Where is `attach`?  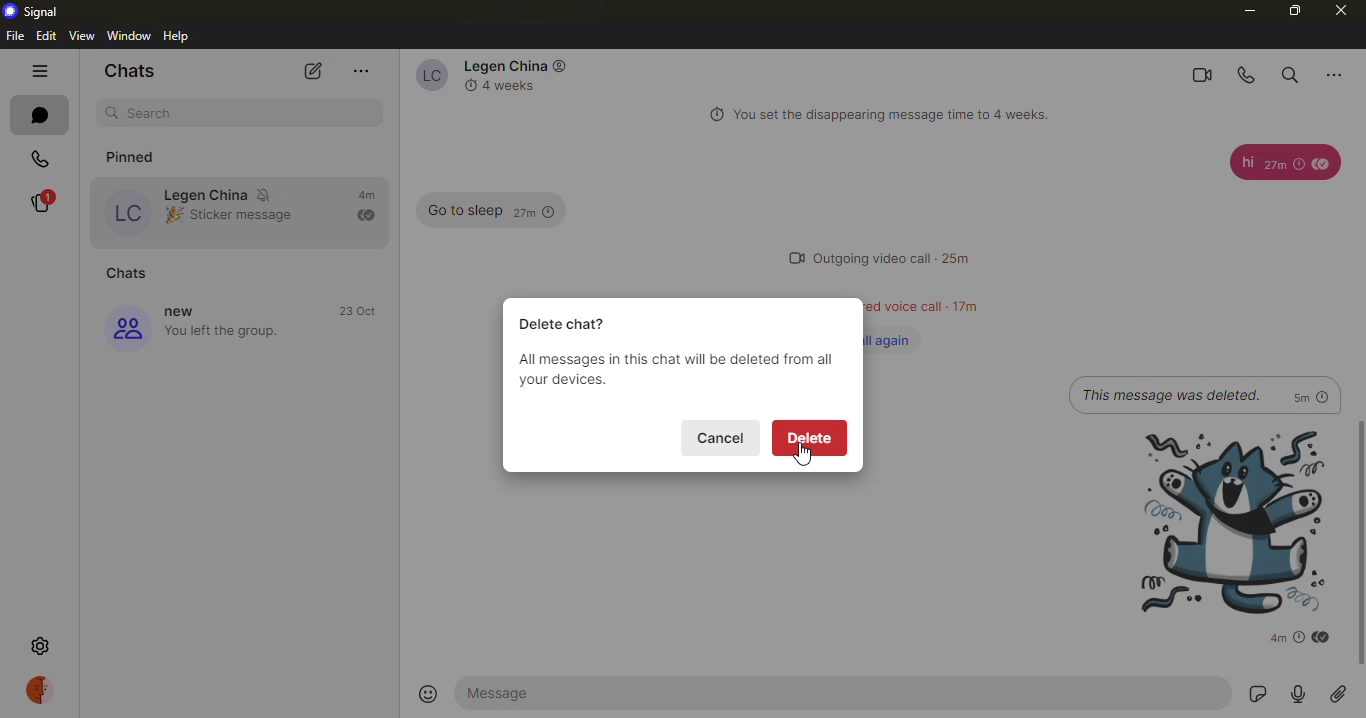
attach is located at coordinates (1337, 695).